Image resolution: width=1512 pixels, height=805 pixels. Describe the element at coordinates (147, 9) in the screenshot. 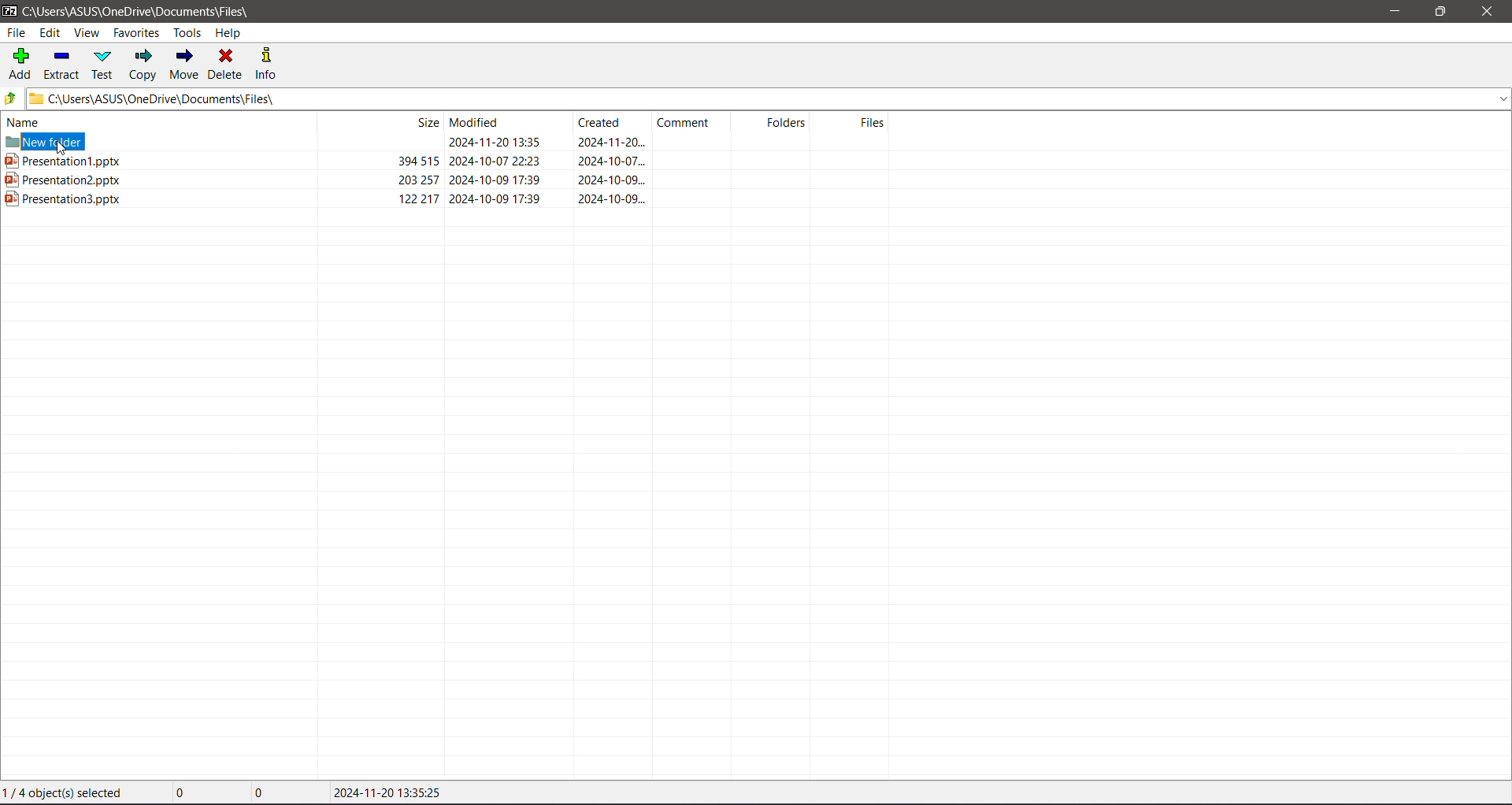

I see `Current Folder Path` at that location.